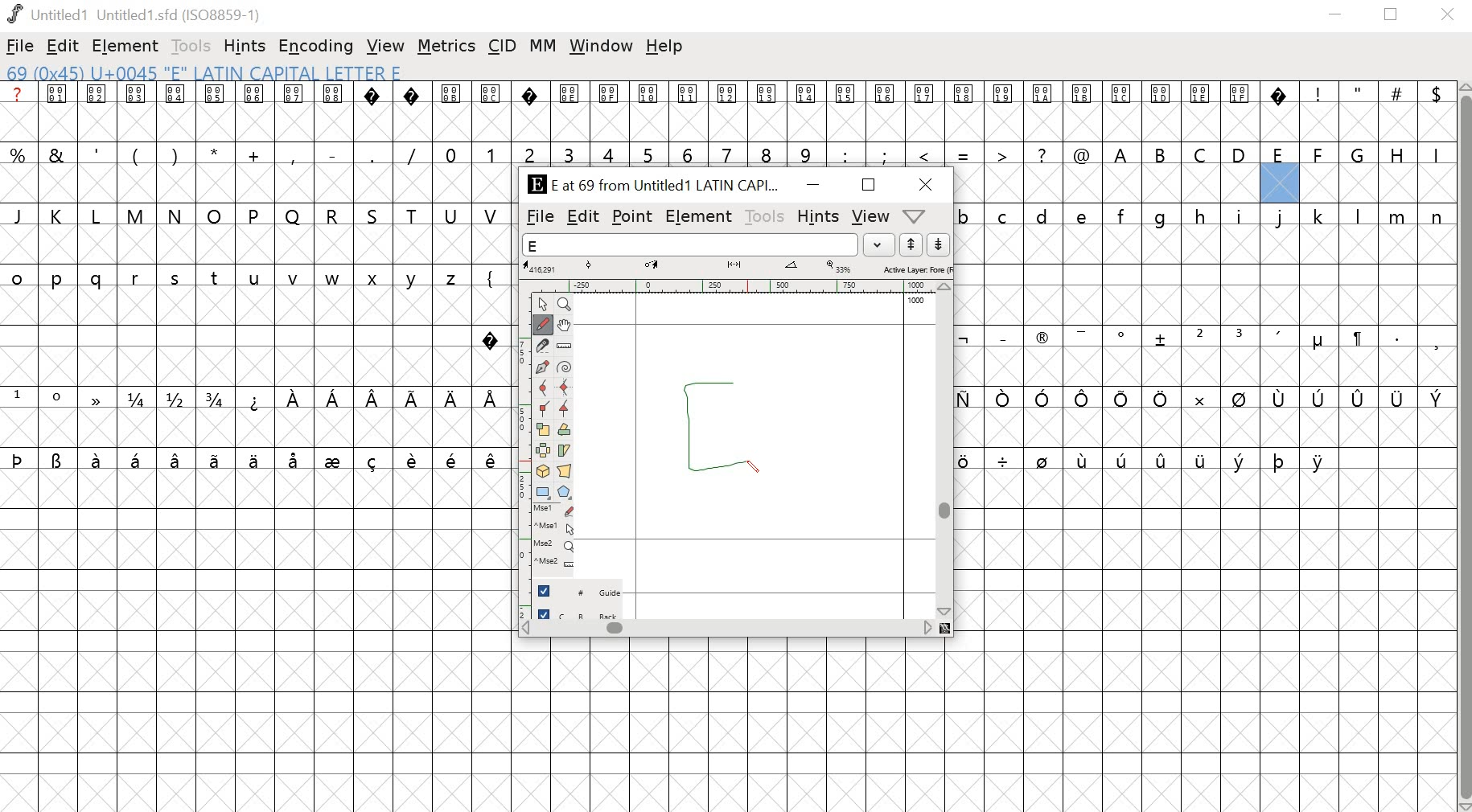 The height and width of the screenshot is (812, 1472). Describe the element at coordinates (553, 529) in the screenshot. I see `Mouse left button + Ctrl` at that location.